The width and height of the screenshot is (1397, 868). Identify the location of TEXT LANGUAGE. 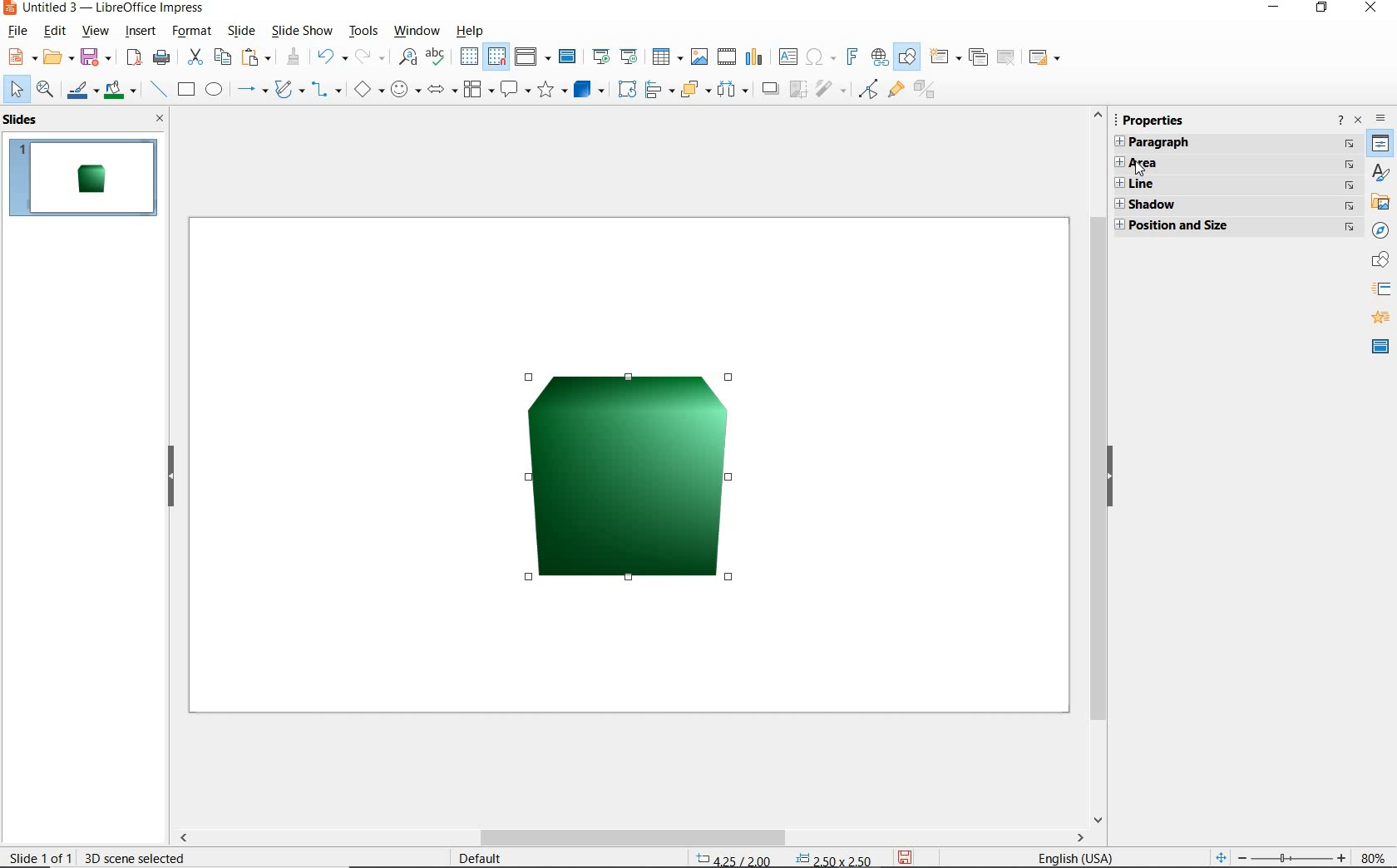
(1078, 856).